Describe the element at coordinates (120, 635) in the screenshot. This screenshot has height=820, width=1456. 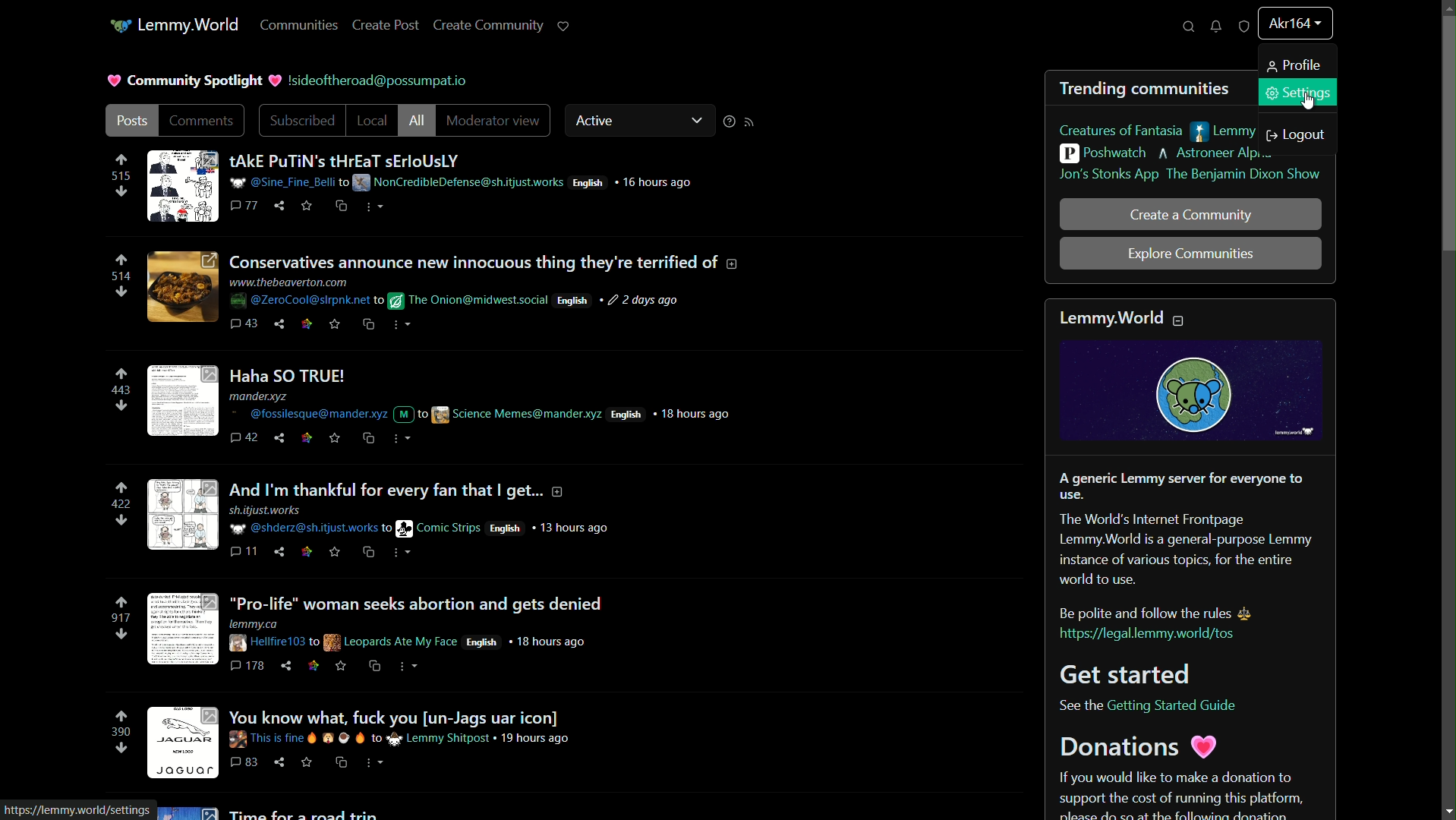
I see `downvote` at that location.